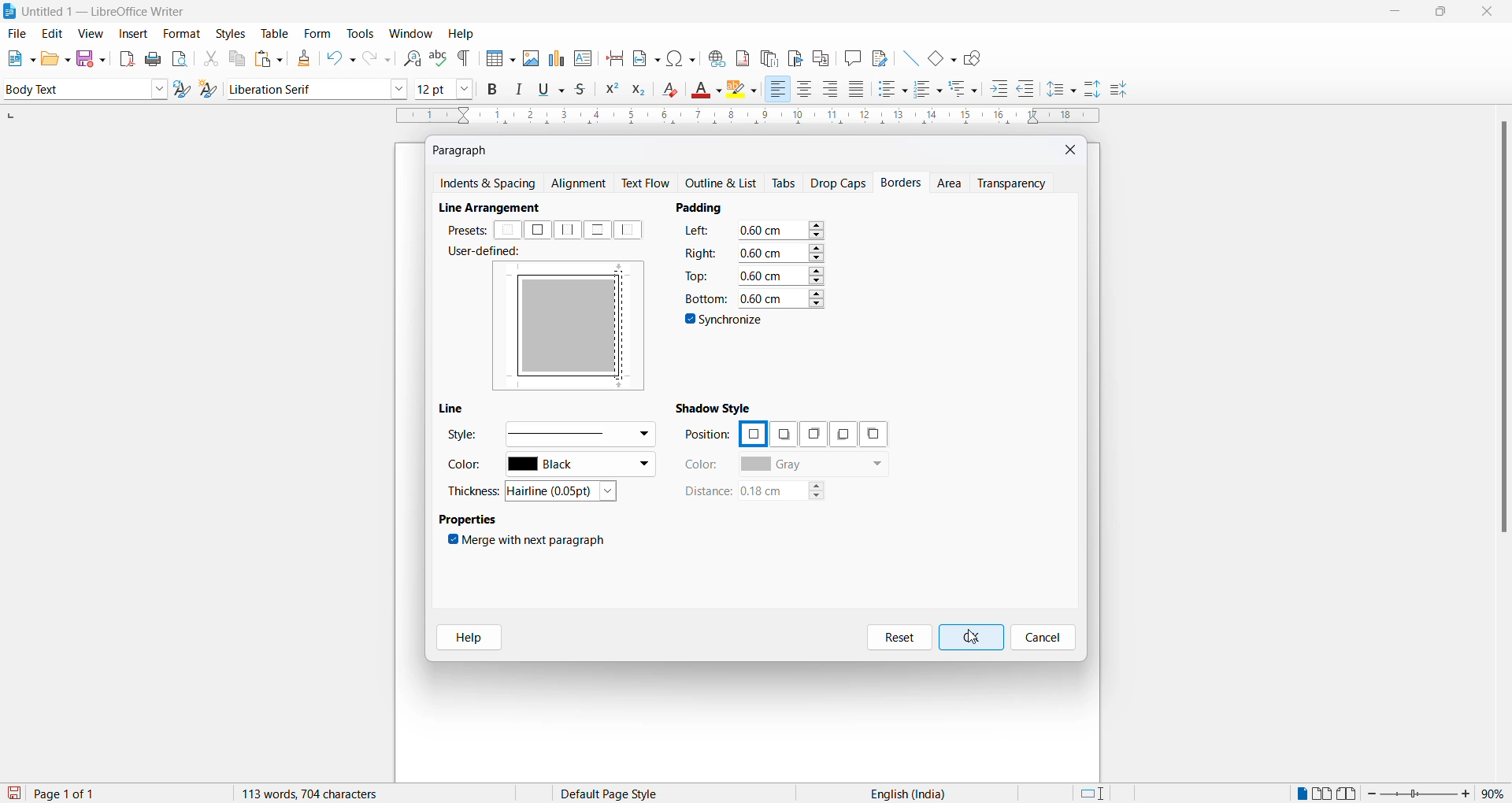 The height and width of the screenshot is (803, 1512). Describe the element at coordinates (412, 34) in the screenshot. I see `window` at that location.